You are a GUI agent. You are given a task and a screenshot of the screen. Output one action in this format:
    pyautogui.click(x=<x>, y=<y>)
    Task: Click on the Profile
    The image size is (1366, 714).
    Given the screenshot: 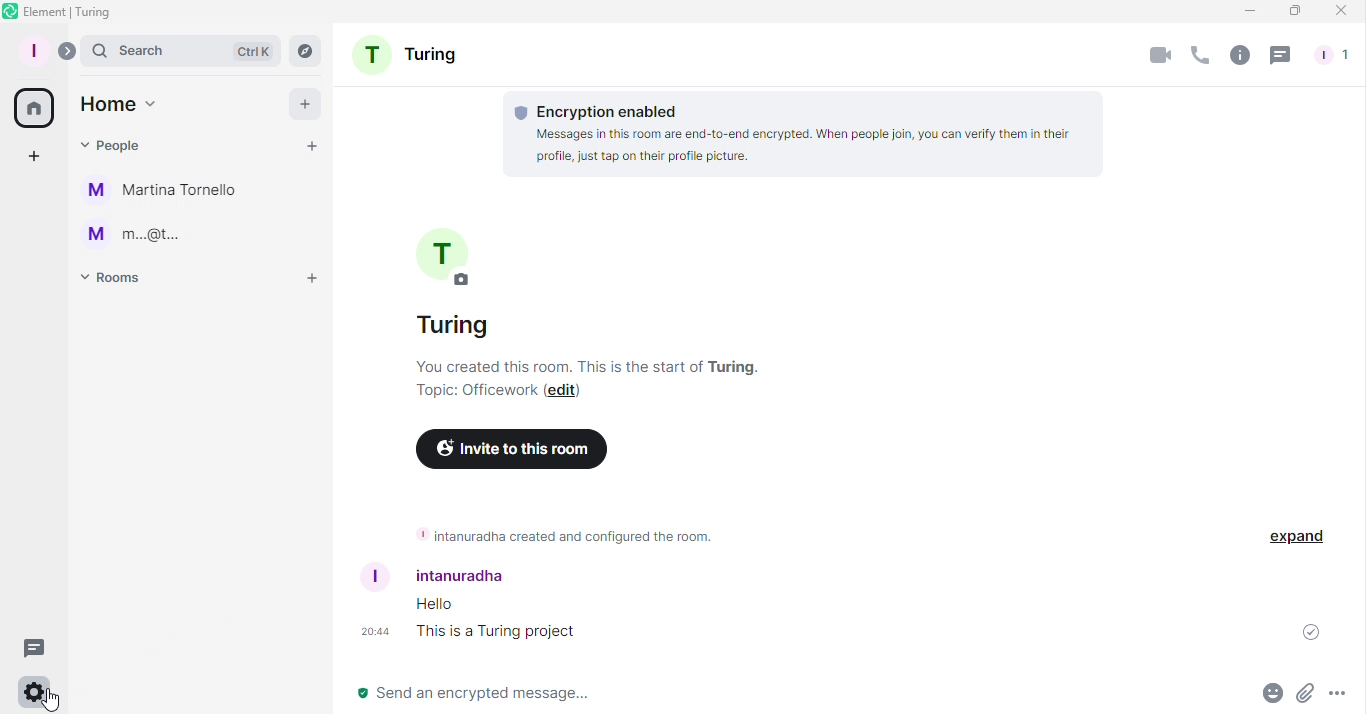 What is the action you would take?
    pyautogui.click(x=35, y=50)
    